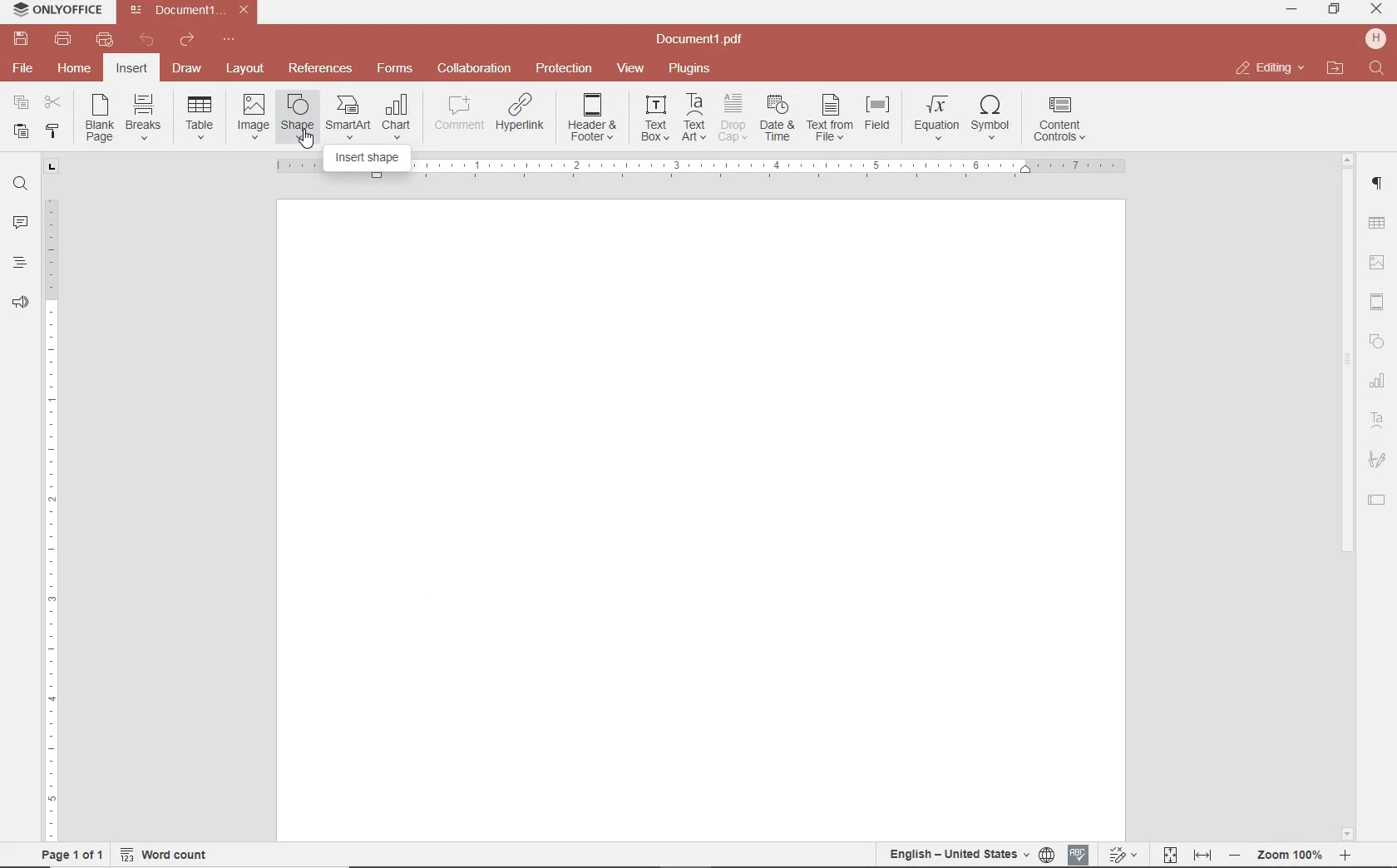  I want to click on paragraph setting, so click(1378, 181).